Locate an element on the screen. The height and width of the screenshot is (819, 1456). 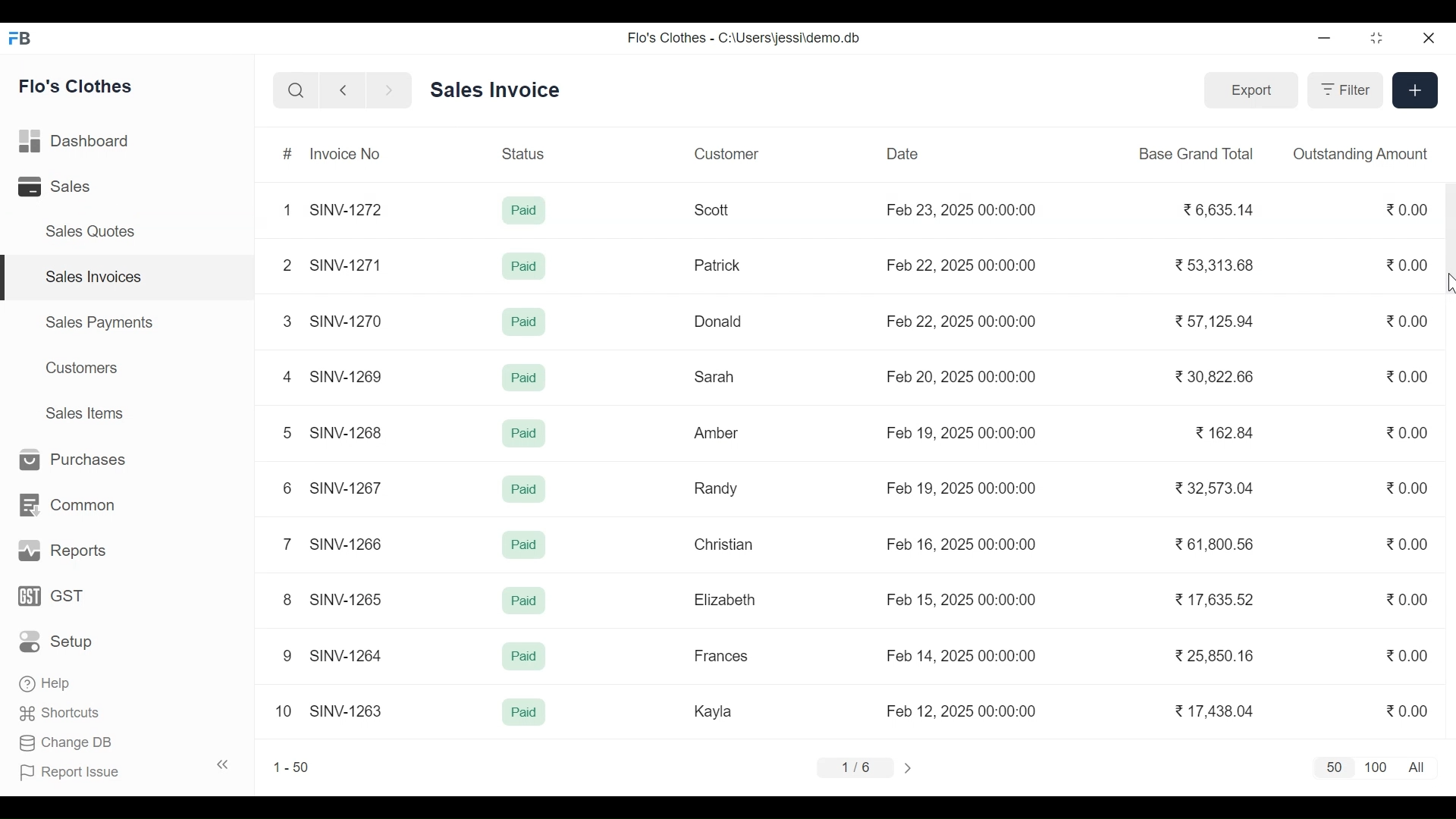
Customer is located at coordinates (726, 153).